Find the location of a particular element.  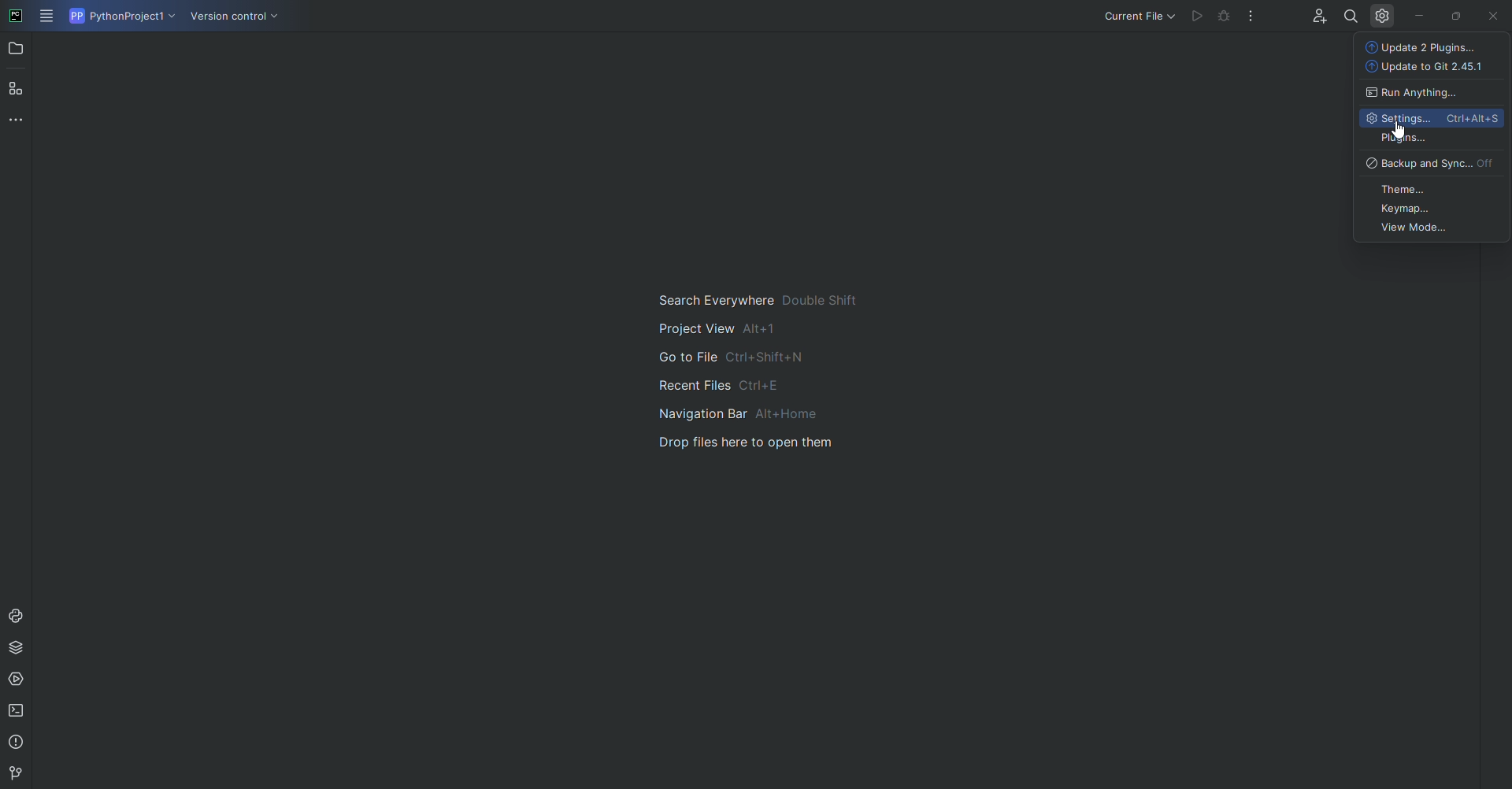

Code with me is located at coordinates (1316, 17).